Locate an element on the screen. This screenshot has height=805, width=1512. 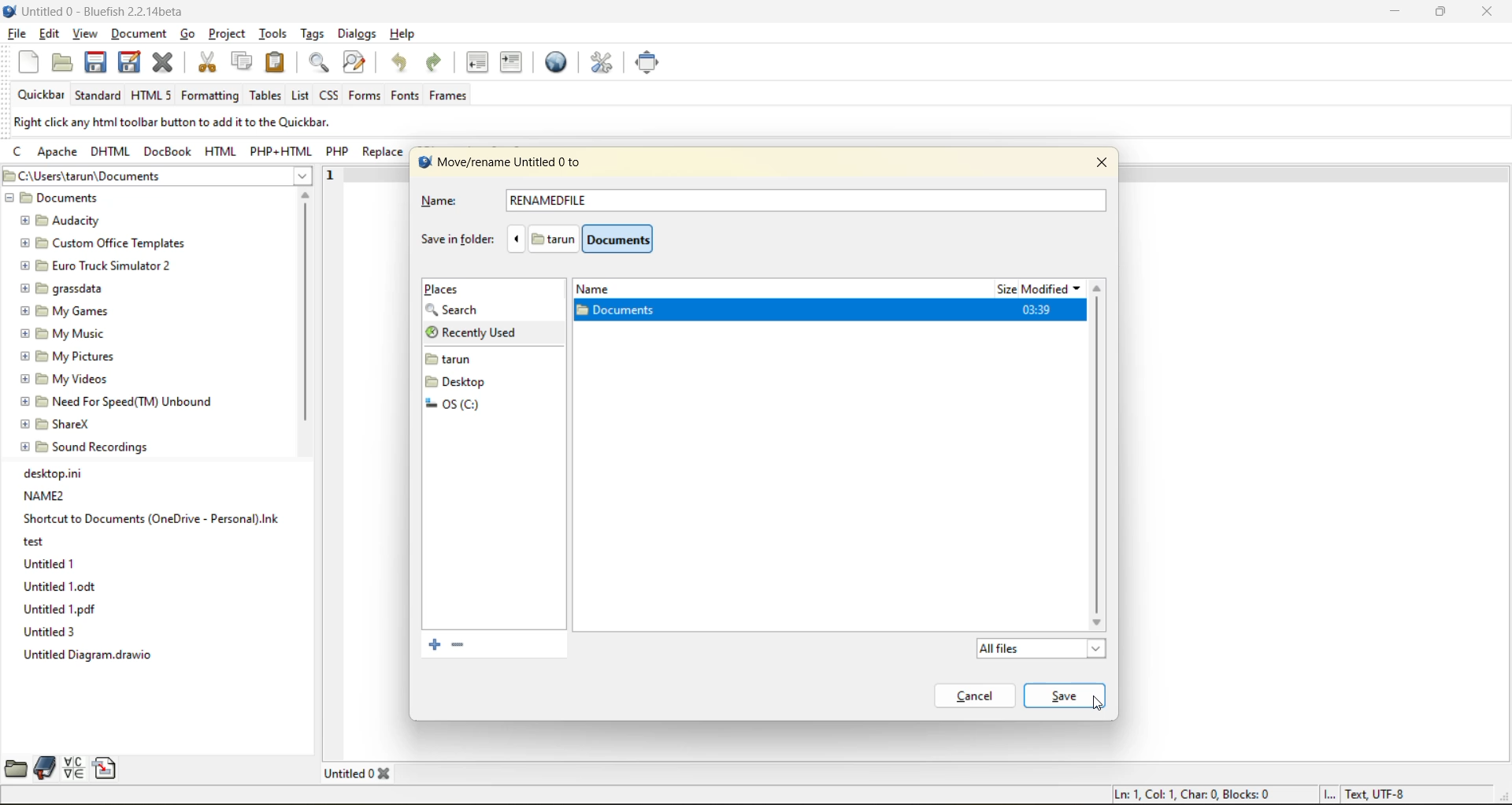
Untitled 1 is located at coordinates (51, 563).